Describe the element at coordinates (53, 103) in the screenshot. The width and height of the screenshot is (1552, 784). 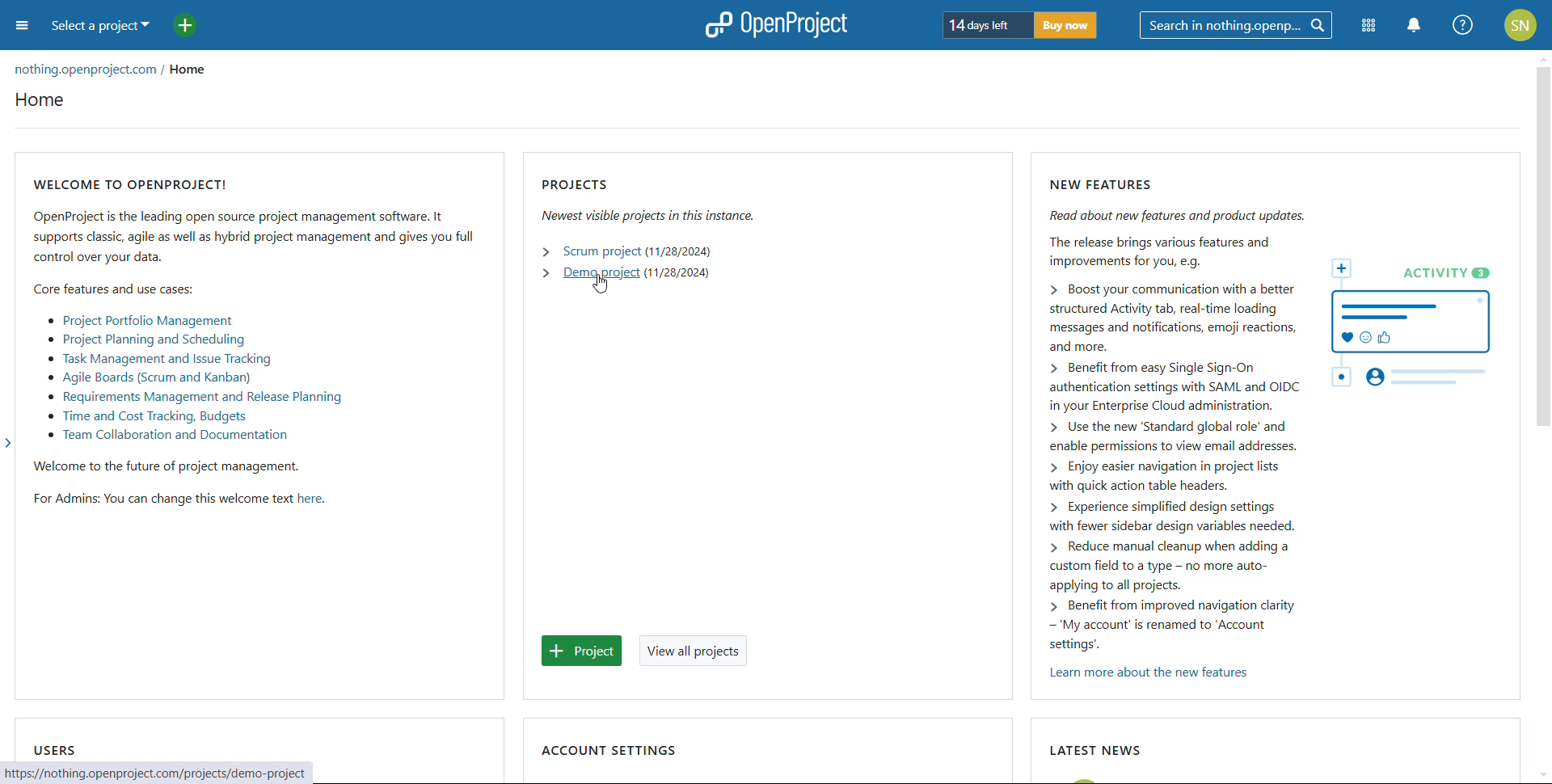
I see `Home` at that location.